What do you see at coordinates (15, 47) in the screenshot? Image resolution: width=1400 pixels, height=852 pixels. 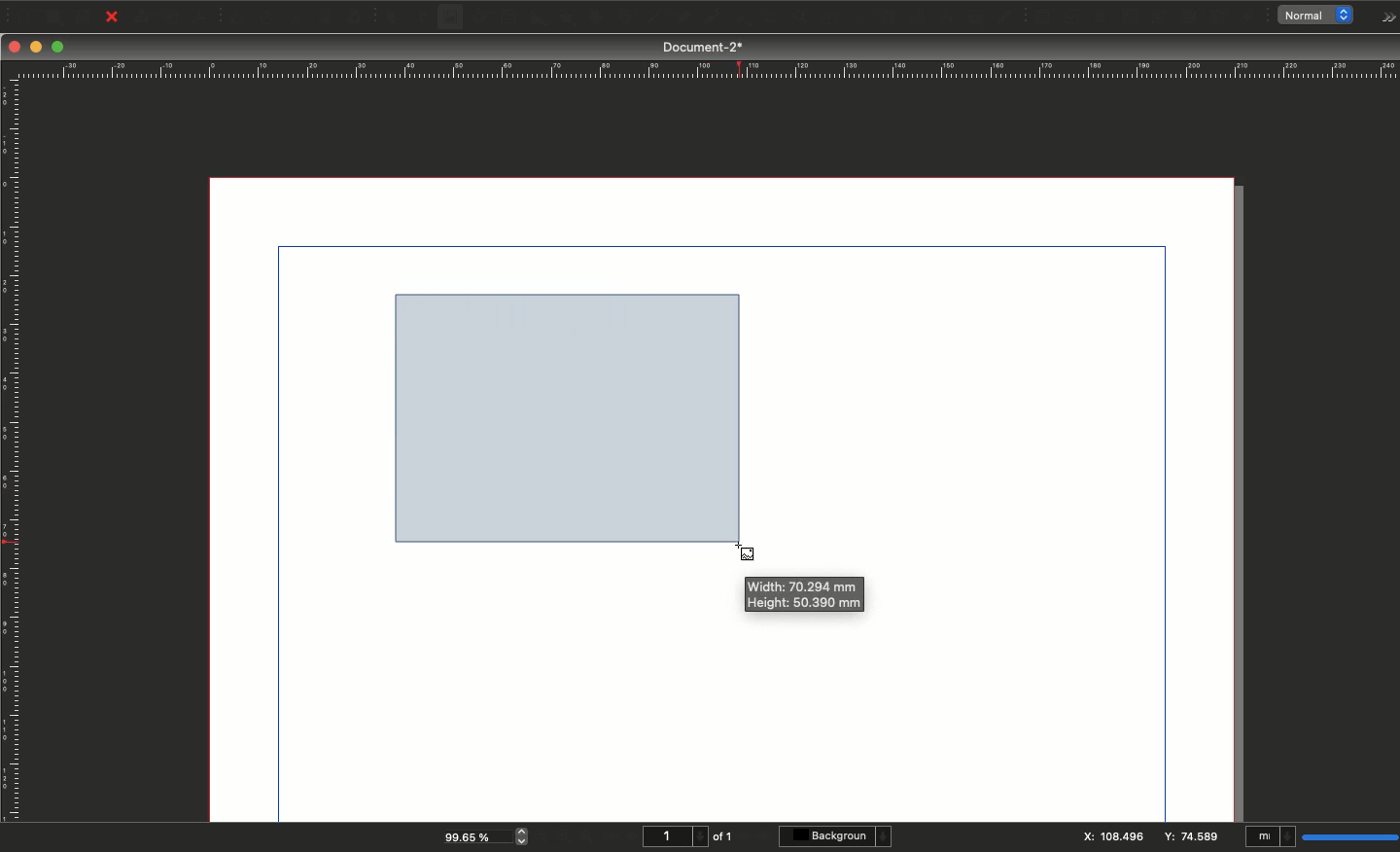 I see `Close` at bounding box center [15, 47].